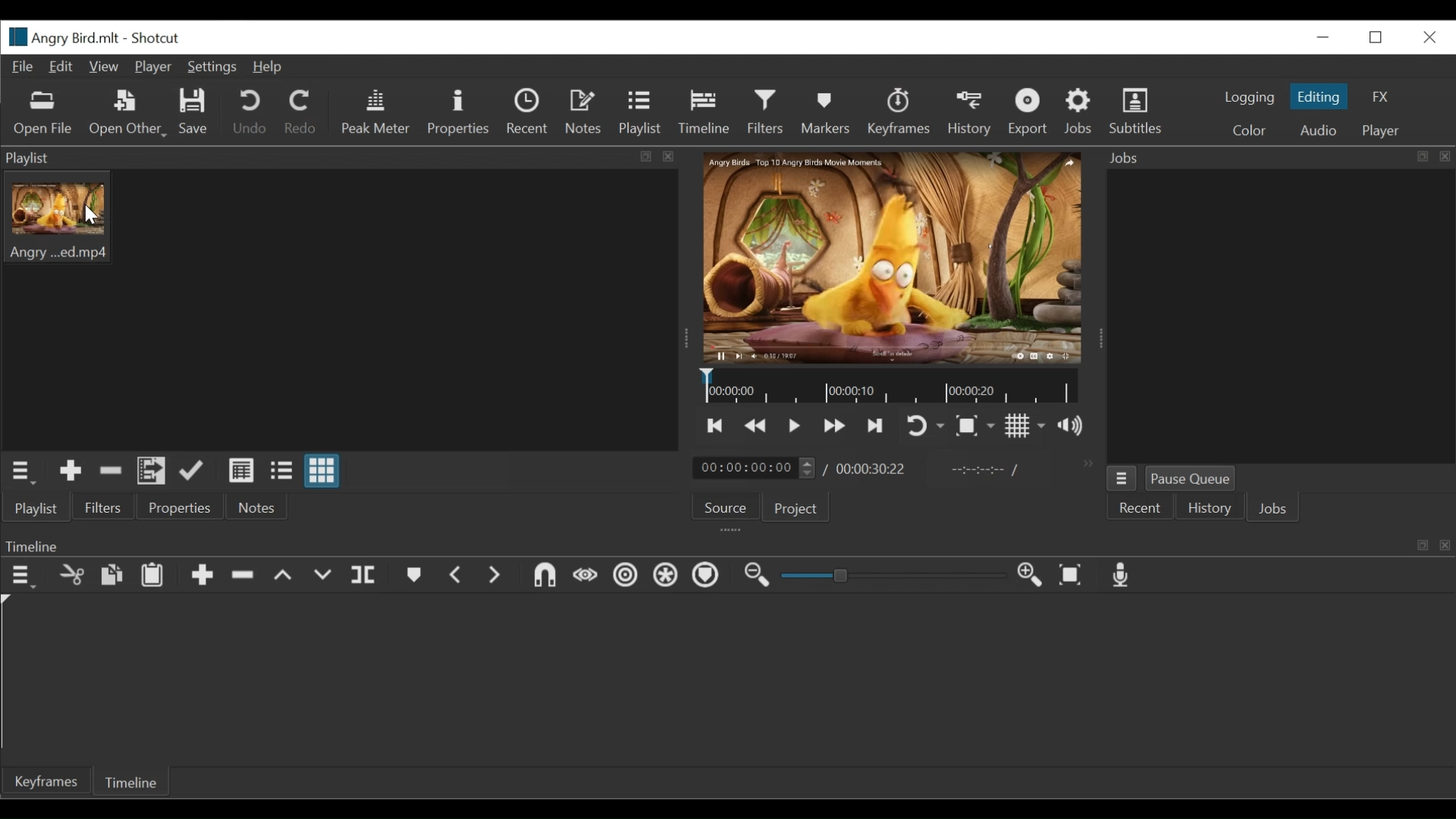  What do you see at coordinates (412, 576) in the screenshot?
I see `Markers` at bounding box center [412, 576].